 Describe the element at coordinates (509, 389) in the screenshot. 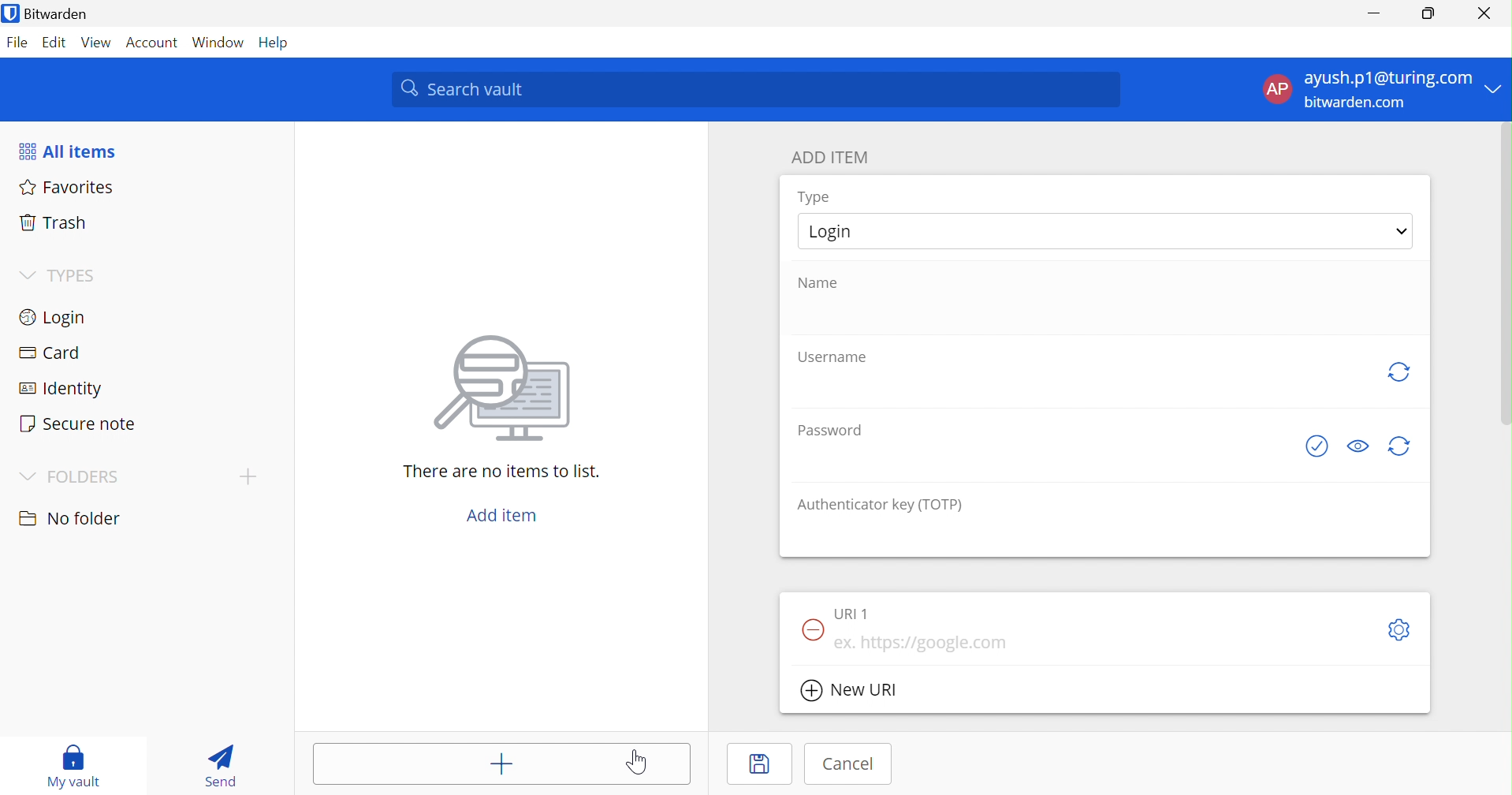

I see `image` at that location.